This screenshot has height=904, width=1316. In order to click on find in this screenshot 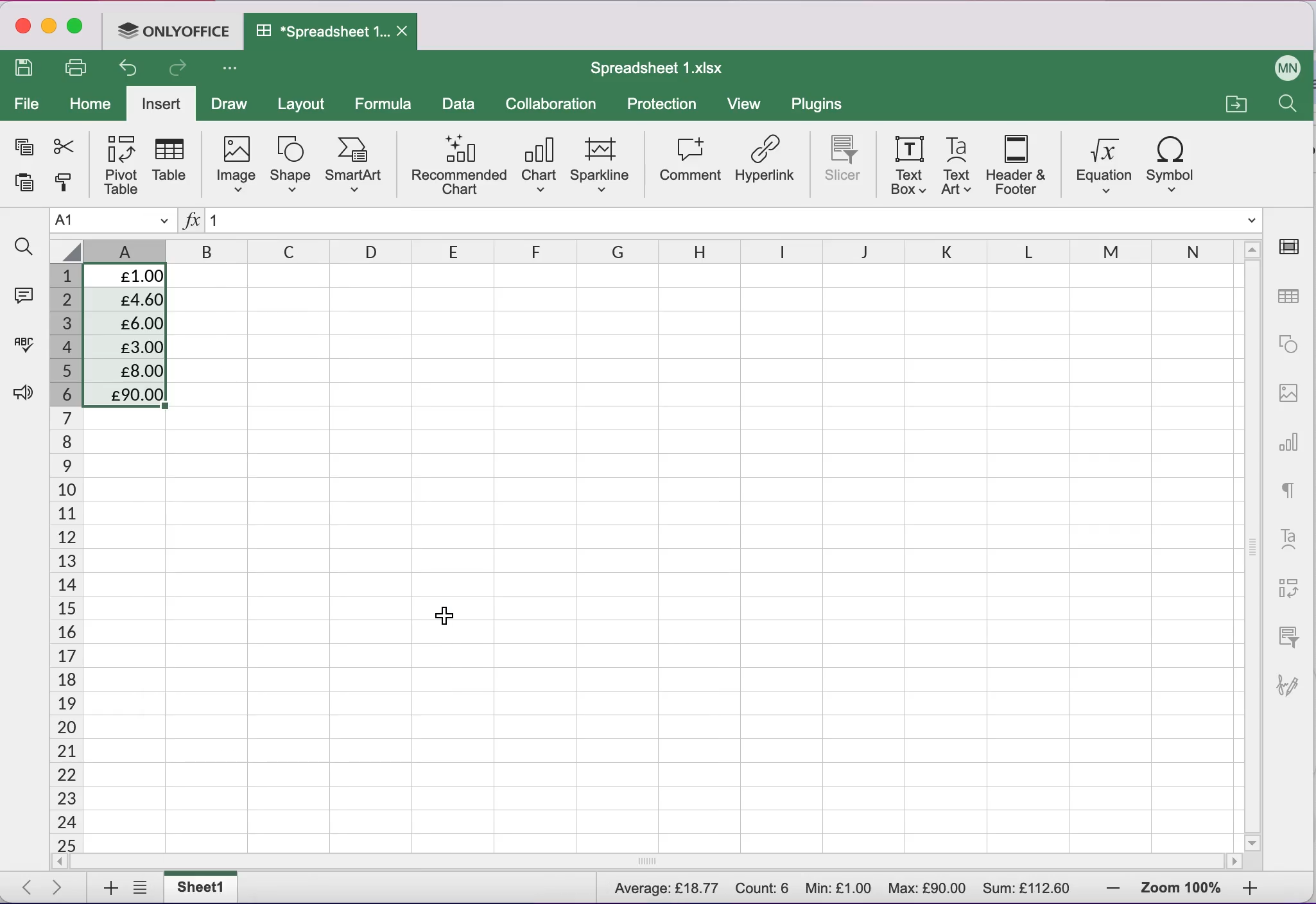, I will do `click(24, 248)`.